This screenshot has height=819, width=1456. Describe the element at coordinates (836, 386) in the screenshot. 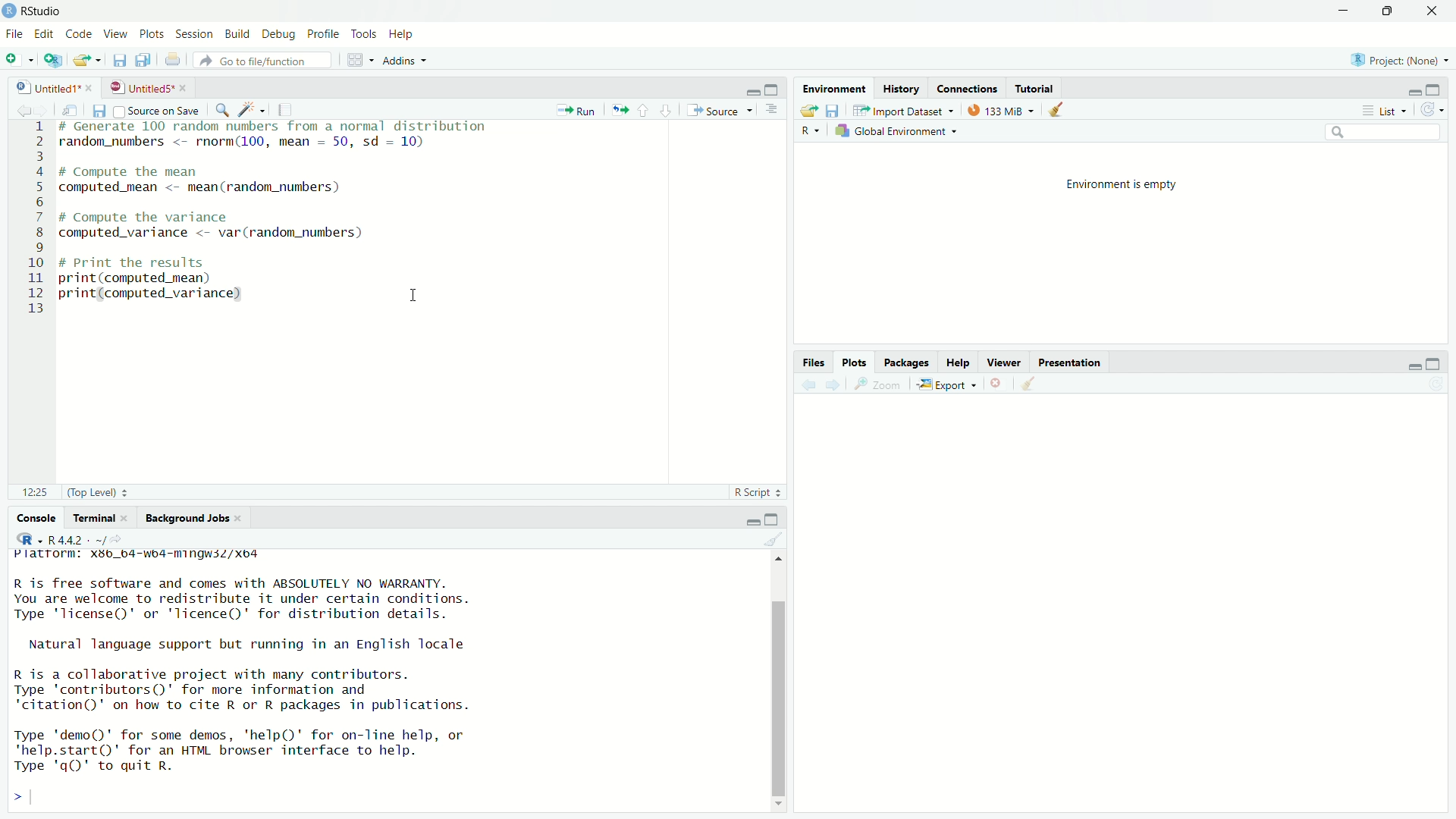

I see `next plot` at that location.